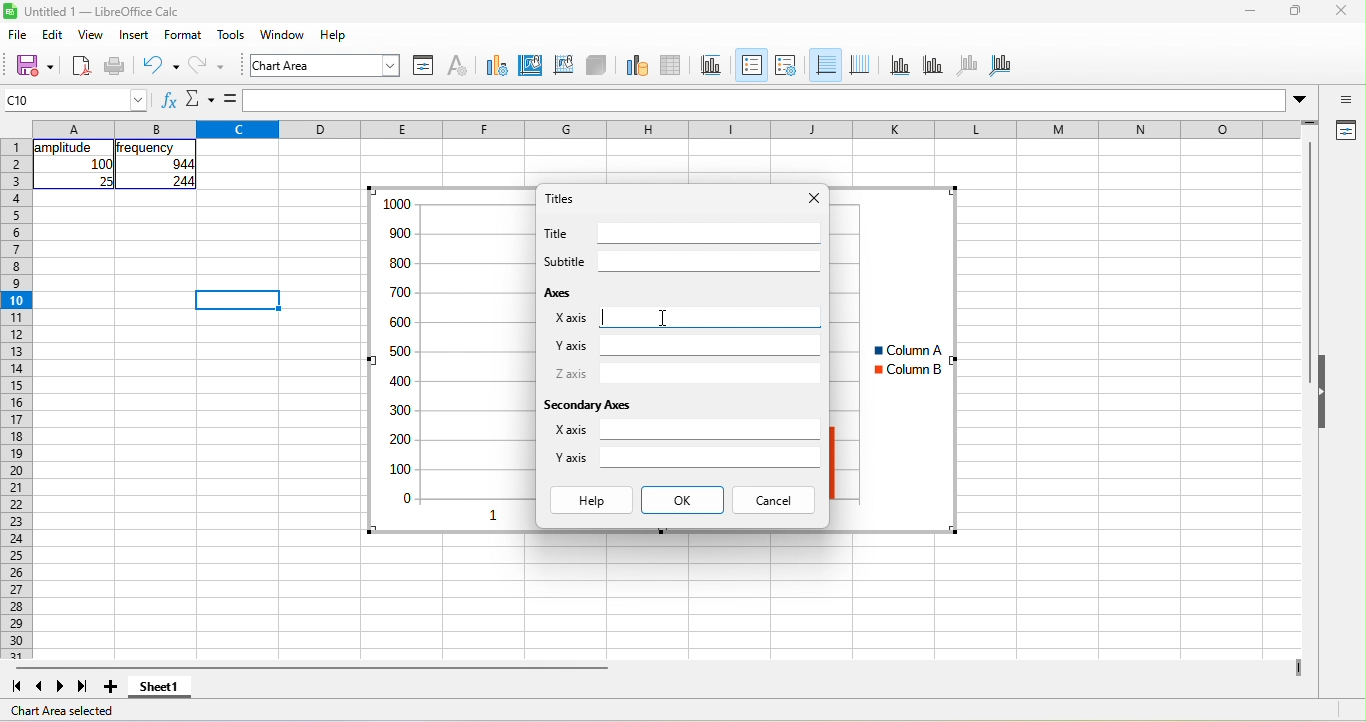 Image resolution: width=1366 pixels, height=722 pixels. I want to click on last sheet, so click(83, 687).